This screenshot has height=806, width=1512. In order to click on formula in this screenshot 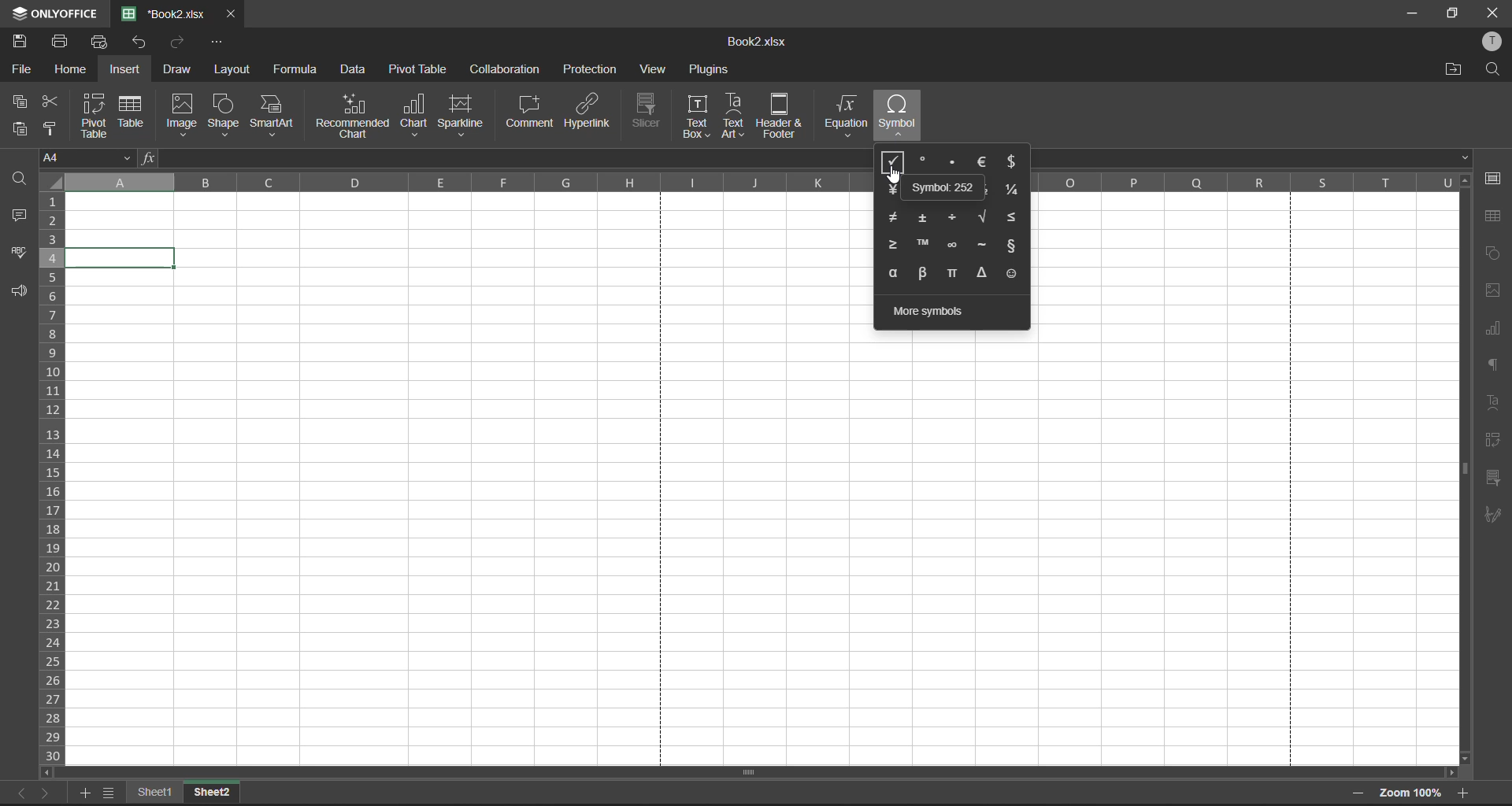, I will do `click(293, 71)`.